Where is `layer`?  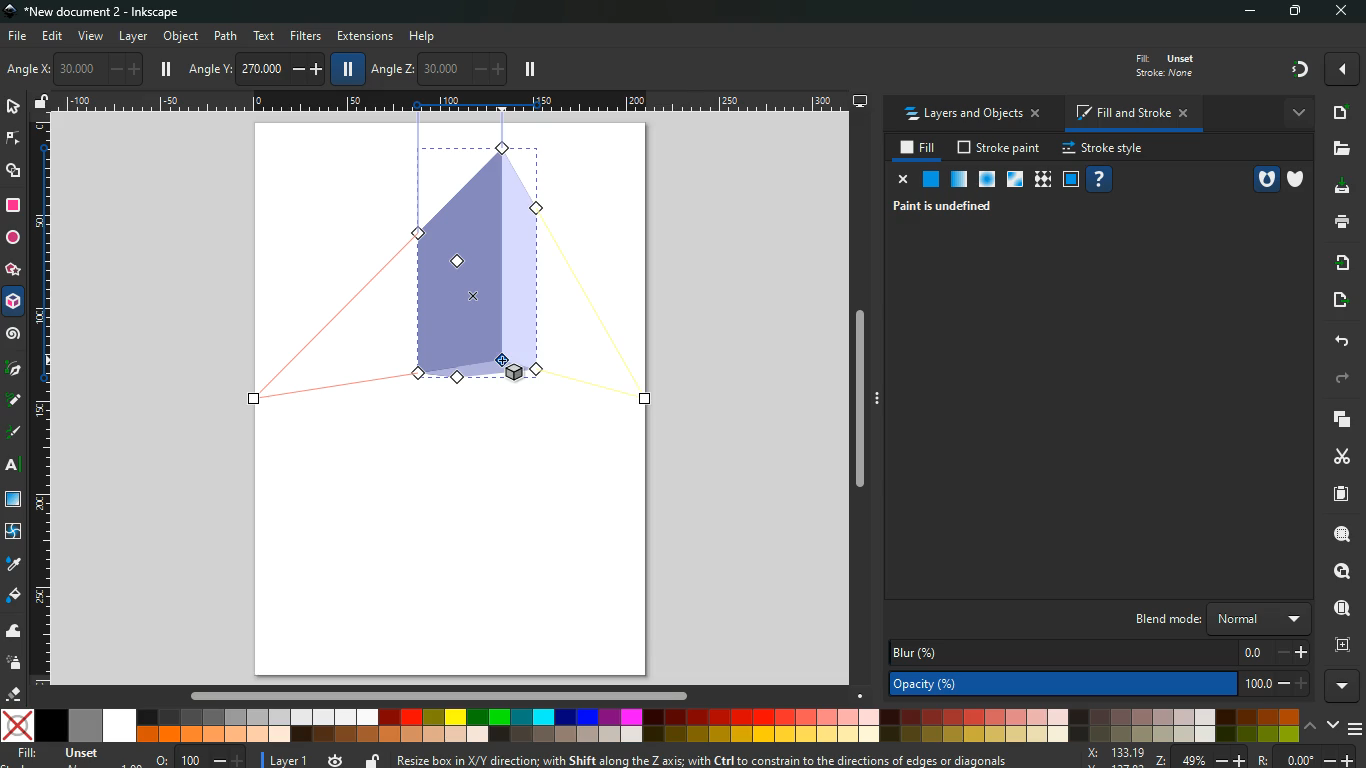 layer is located at coordinates (134, 37).